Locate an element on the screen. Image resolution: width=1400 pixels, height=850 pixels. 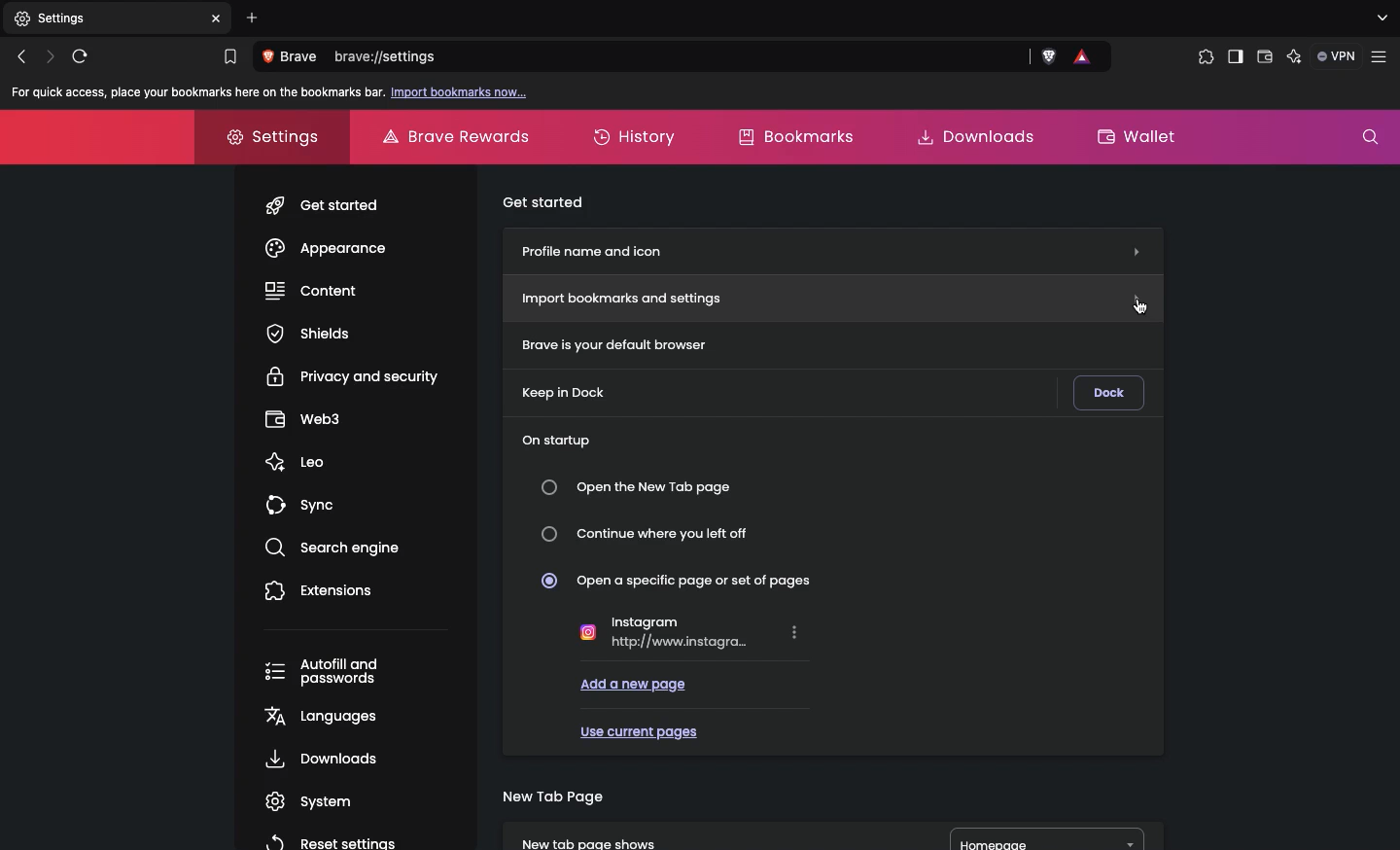
History is located at coordinates (638, 138).